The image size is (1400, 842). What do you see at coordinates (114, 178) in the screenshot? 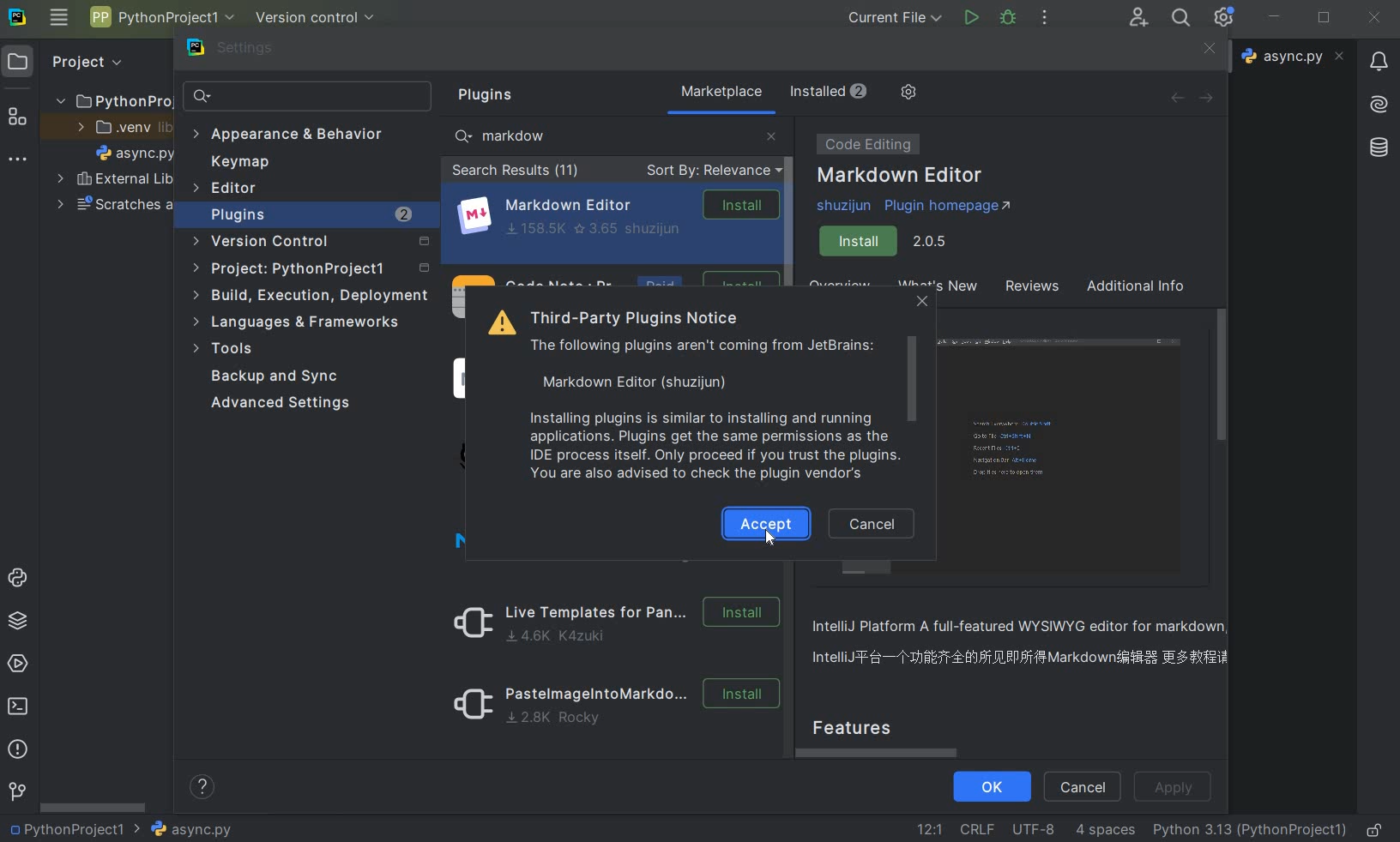
I see `external libraries` at bounding box center [114, 178].